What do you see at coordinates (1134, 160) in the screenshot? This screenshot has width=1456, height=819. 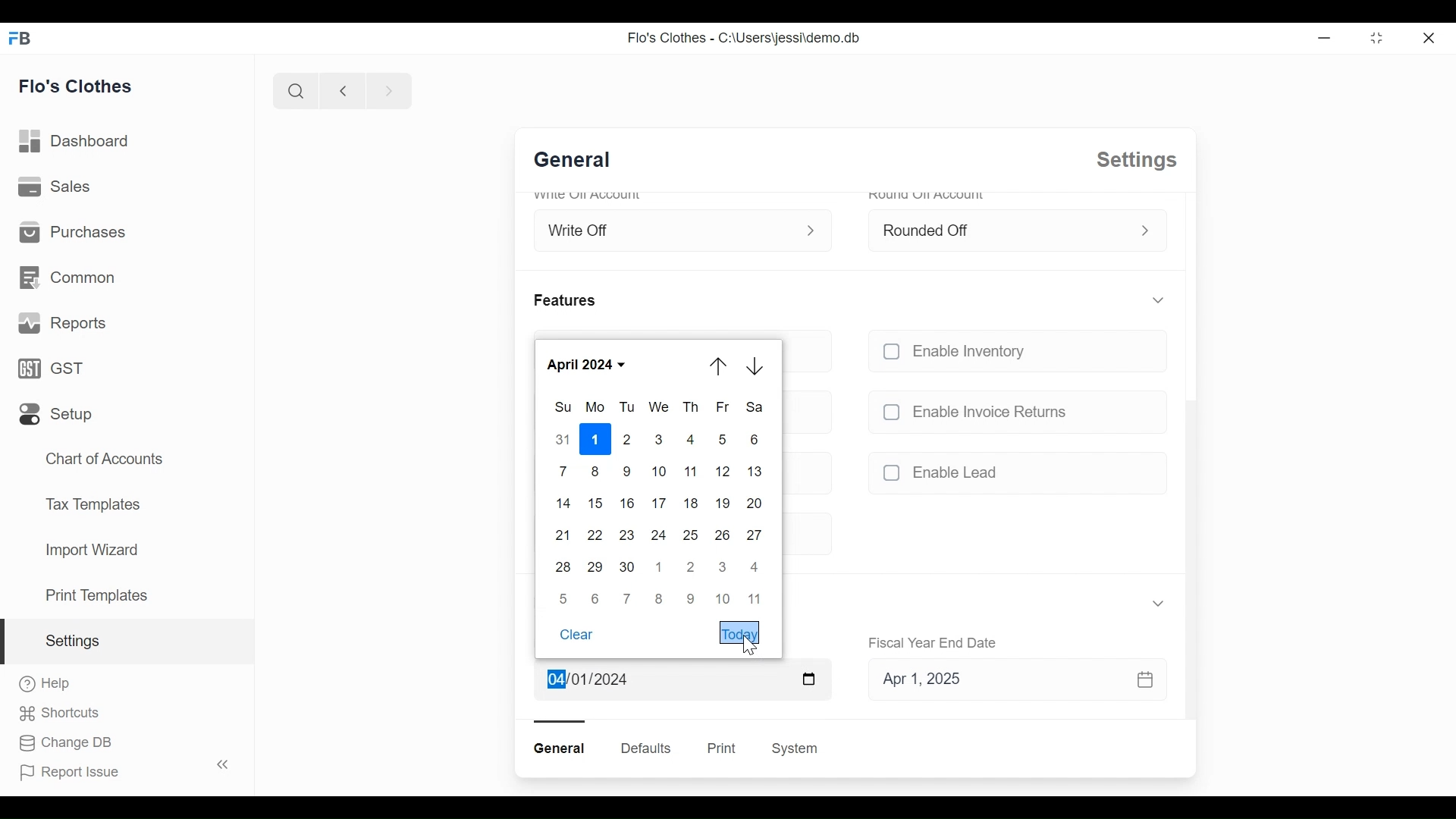 I see `Settings` at bounding box center [1134, 160].